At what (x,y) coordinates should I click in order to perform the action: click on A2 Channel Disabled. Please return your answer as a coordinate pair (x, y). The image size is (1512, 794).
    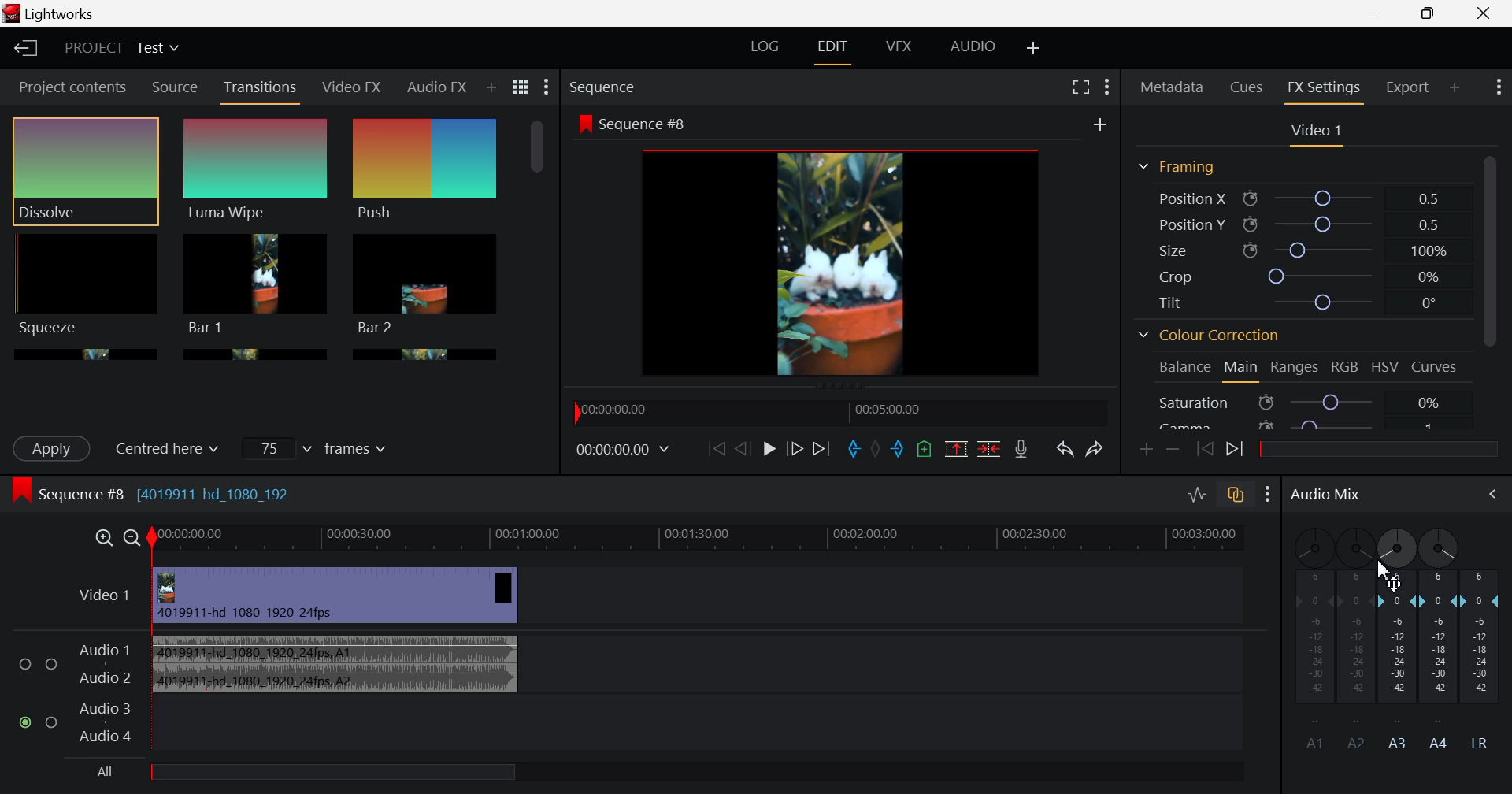
    Looking at the image, I should click on (1355, 637).